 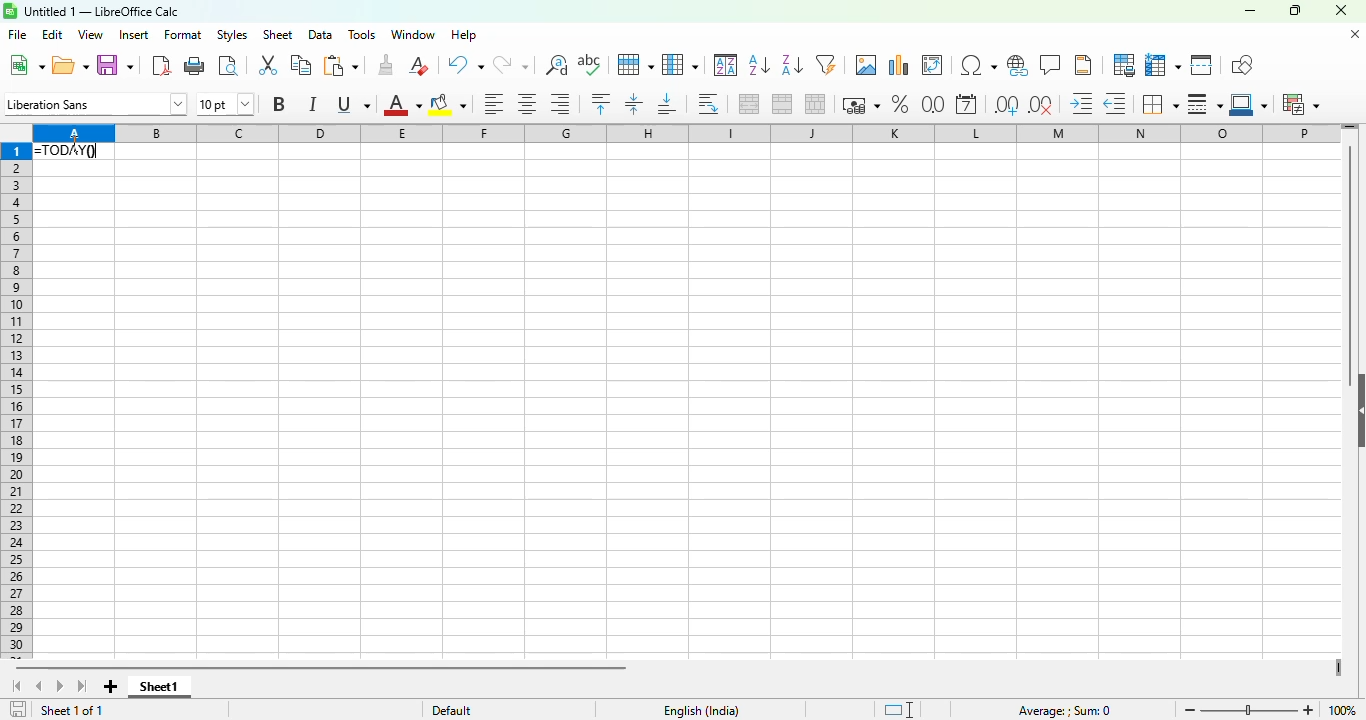 What do you see at coordinates (557, 65) in the screenshot?
I see `find and replace` at bounding box center [557, 65].